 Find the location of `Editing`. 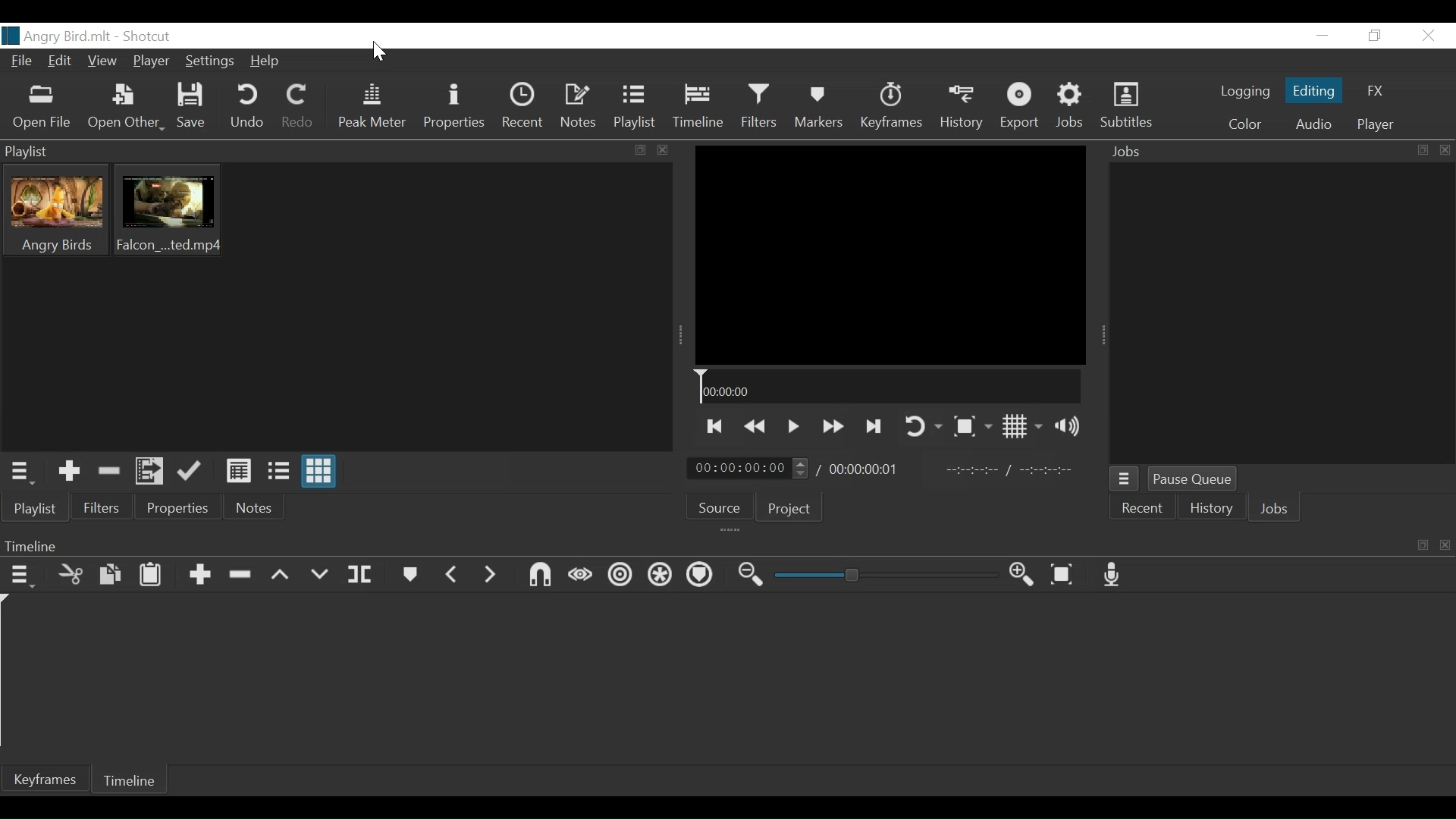

Editing is located at coordinates (1313, 93).